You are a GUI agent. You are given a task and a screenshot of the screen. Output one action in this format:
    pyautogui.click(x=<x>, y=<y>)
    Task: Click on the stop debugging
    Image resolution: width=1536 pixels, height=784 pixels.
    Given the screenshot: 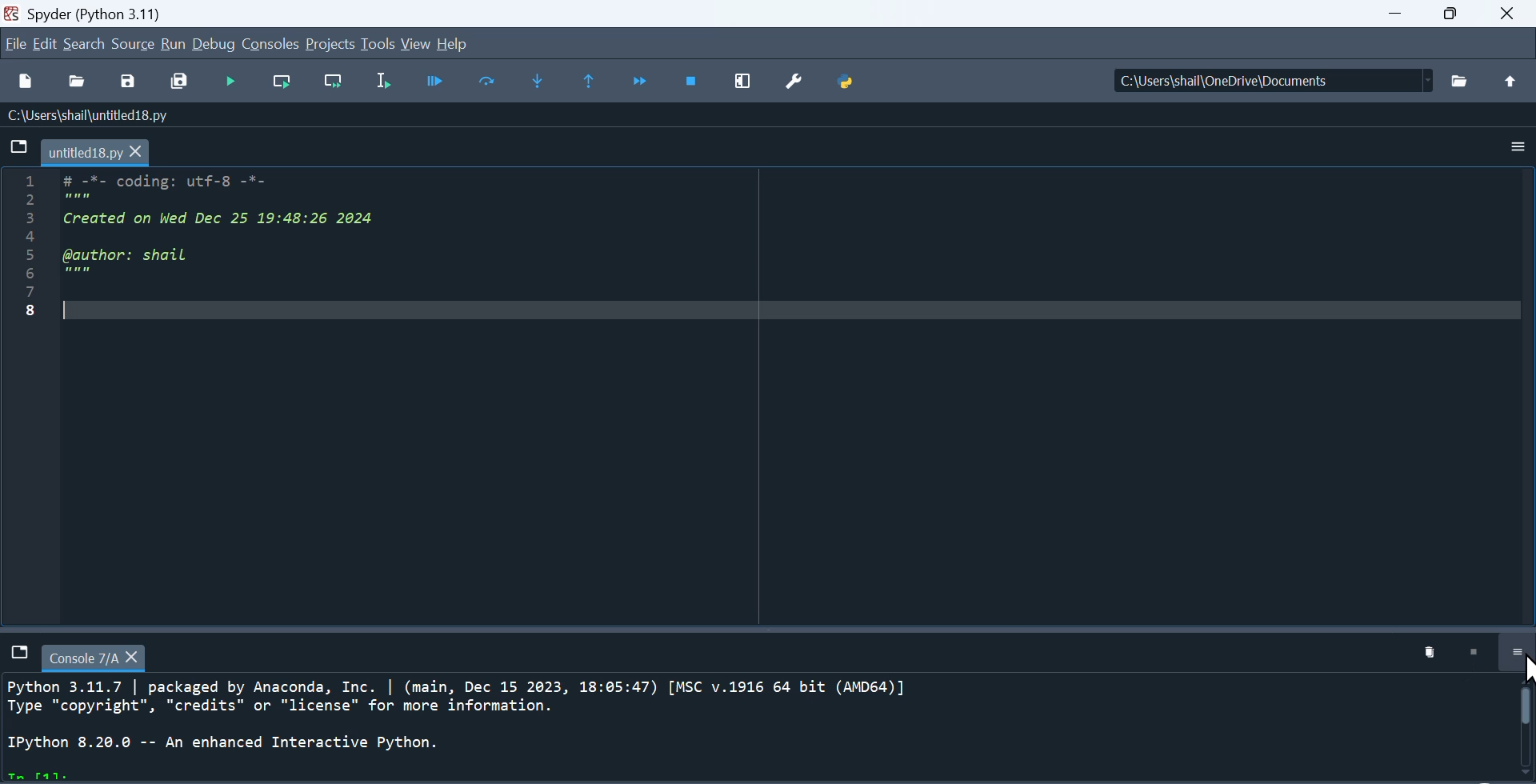 What is the action you would take?
    pyautogui.click(x=694, y=83)
    